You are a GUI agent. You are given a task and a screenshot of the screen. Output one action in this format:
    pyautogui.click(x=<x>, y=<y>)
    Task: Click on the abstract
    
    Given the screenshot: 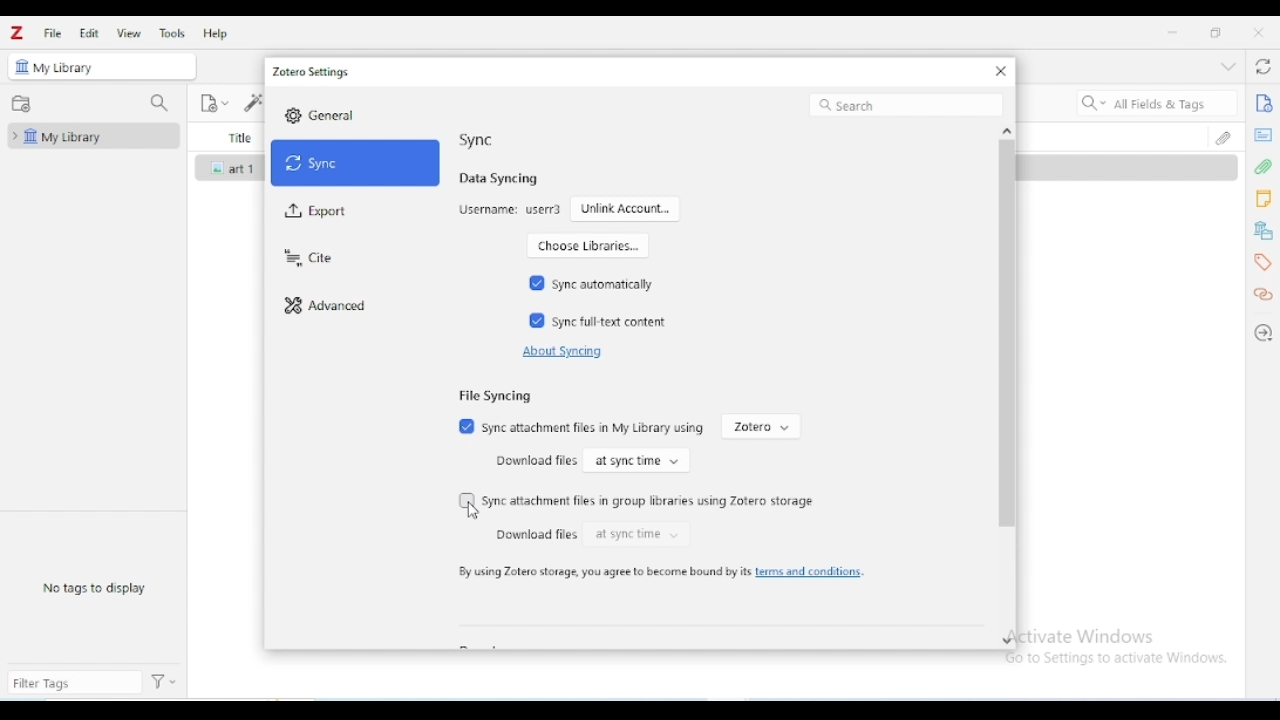 What is the action you would take?
    pyautogui.click(x=1263, y=135)
    